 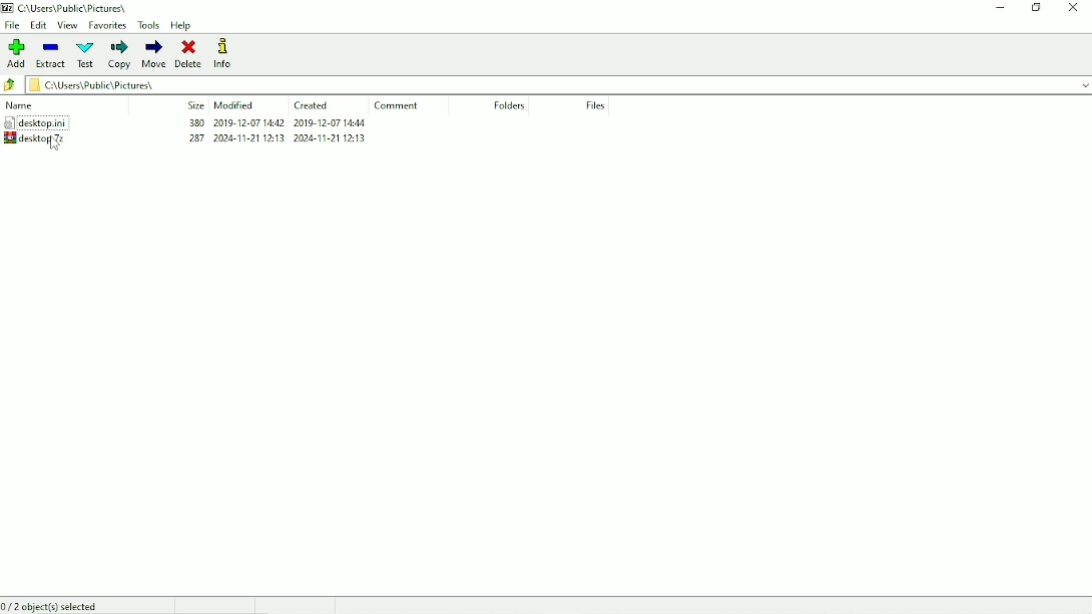 I want to click on Delete, so click(x=188, y=53).